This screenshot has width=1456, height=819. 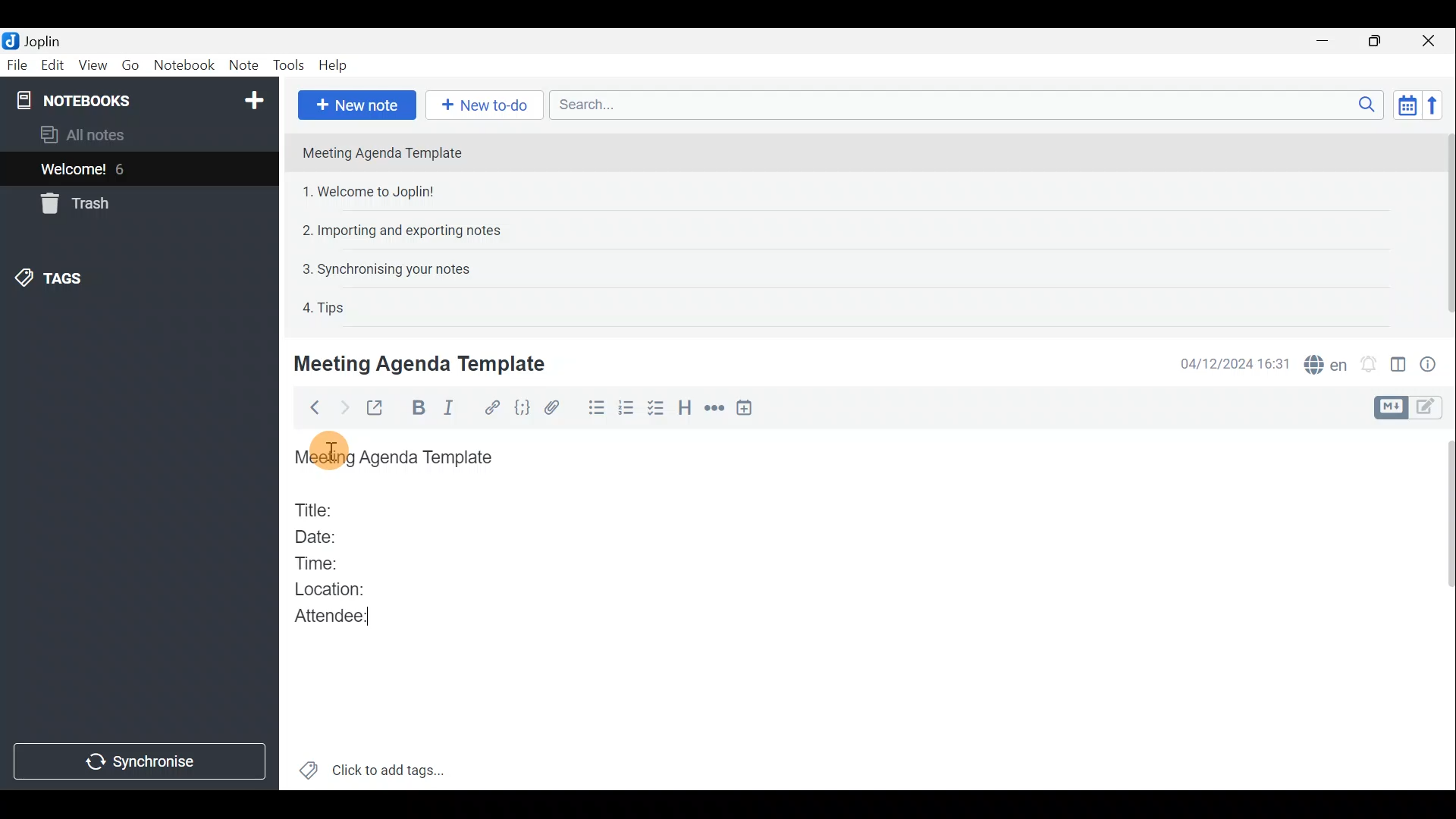 I want to click on Toggle editor layout, so click(x=1399, y=367).